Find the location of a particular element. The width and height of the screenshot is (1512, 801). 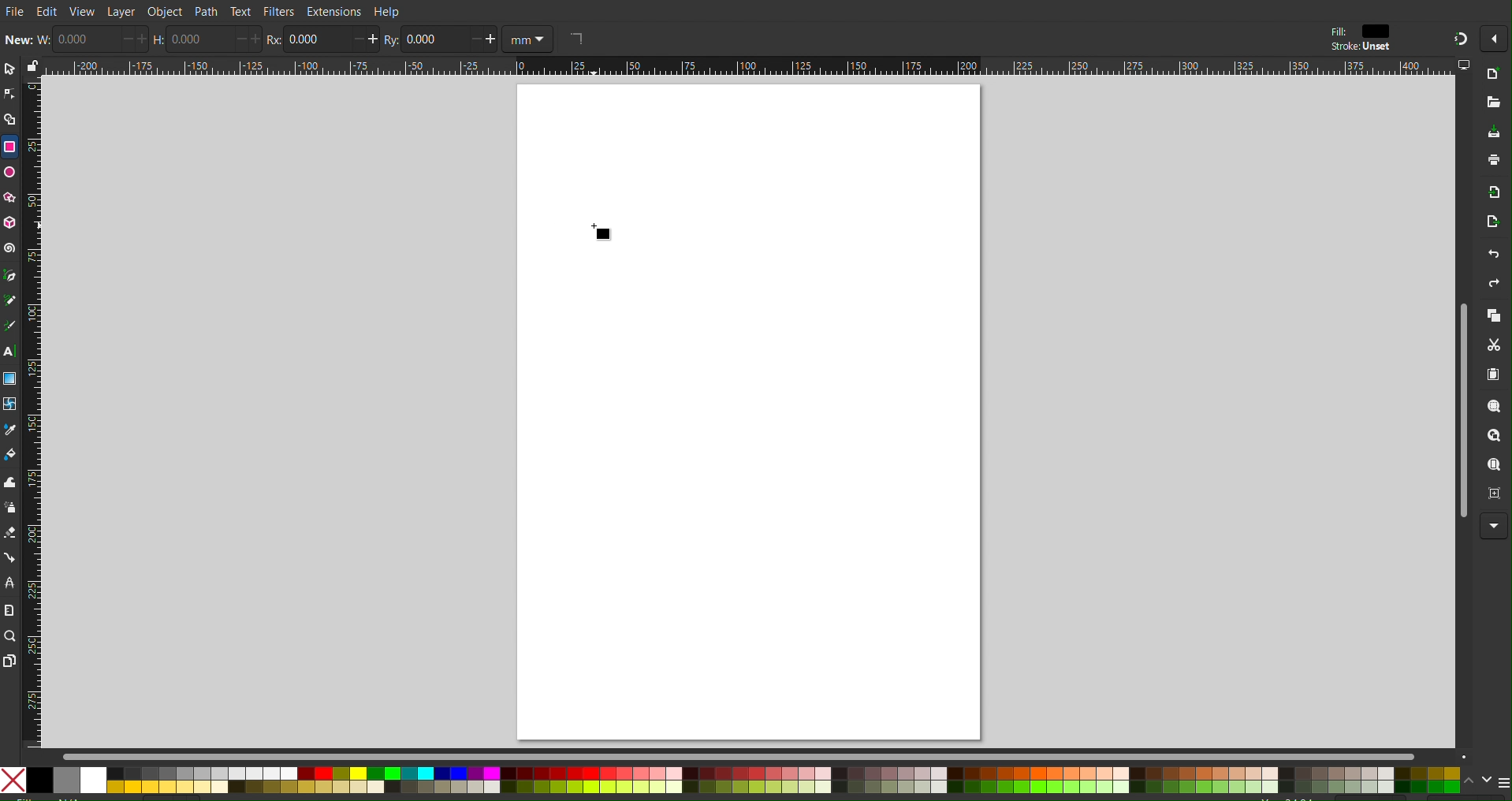

Line Color is located at coordinates (9, 430).